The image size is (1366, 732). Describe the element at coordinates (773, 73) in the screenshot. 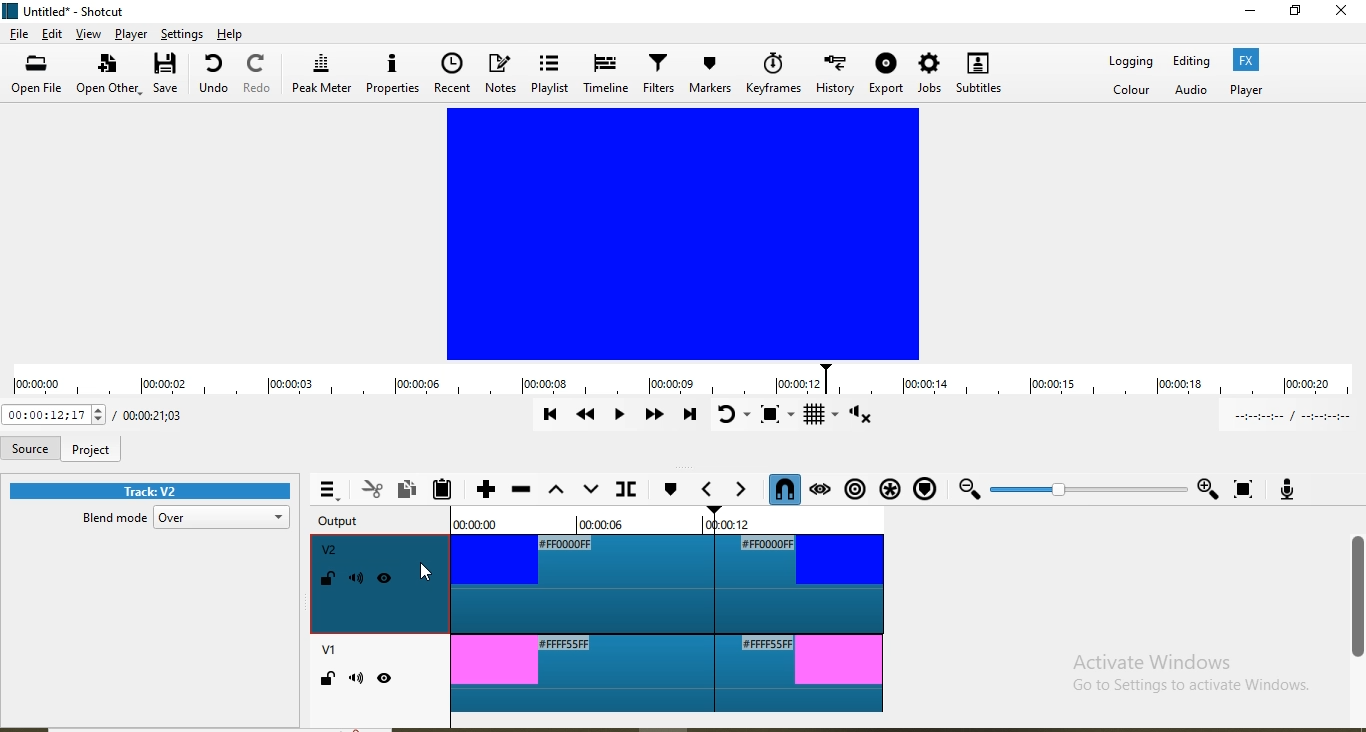

I see `Keyframes` at that location.